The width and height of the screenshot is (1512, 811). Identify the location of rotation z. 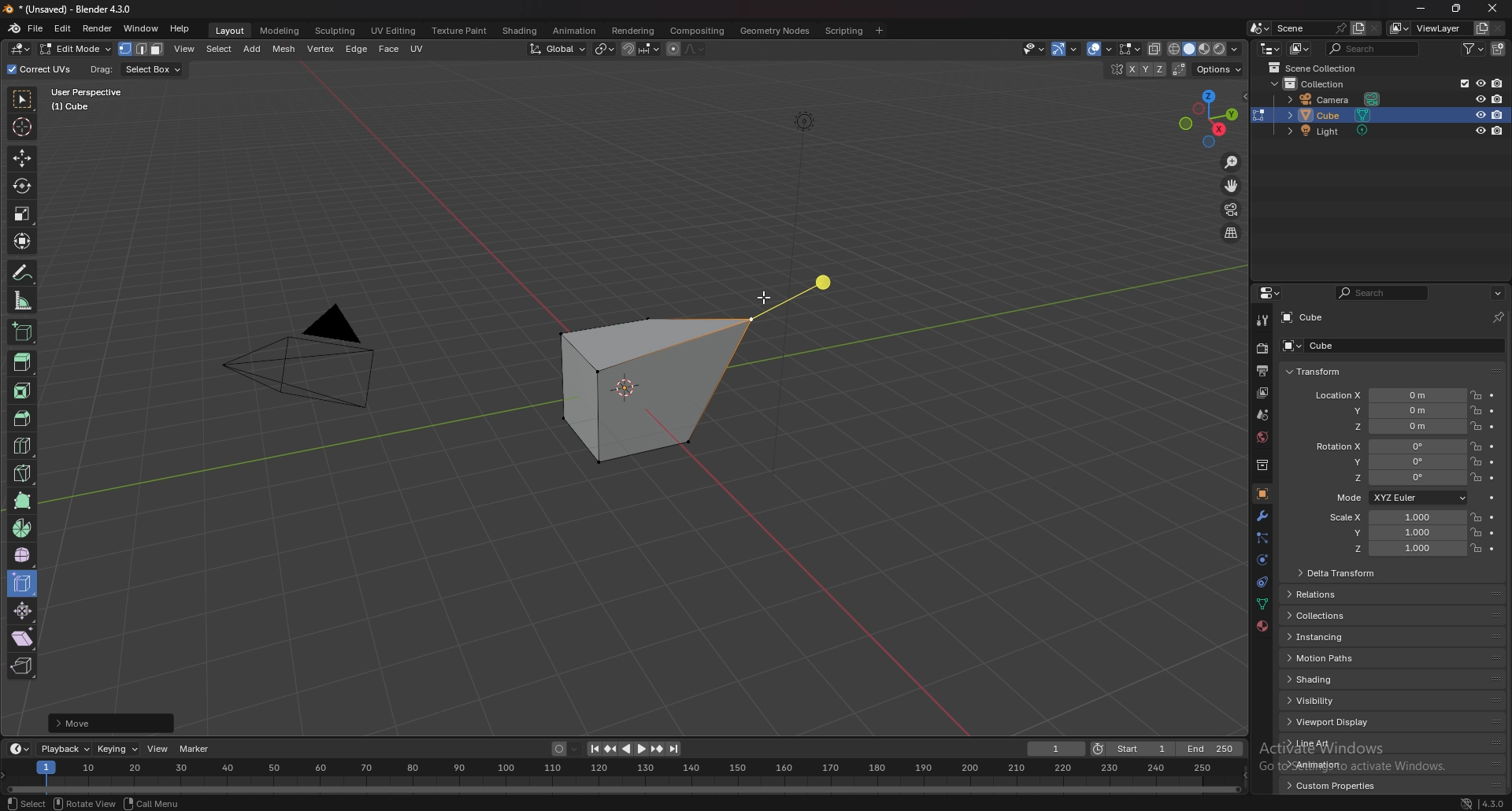
(1395, 479).